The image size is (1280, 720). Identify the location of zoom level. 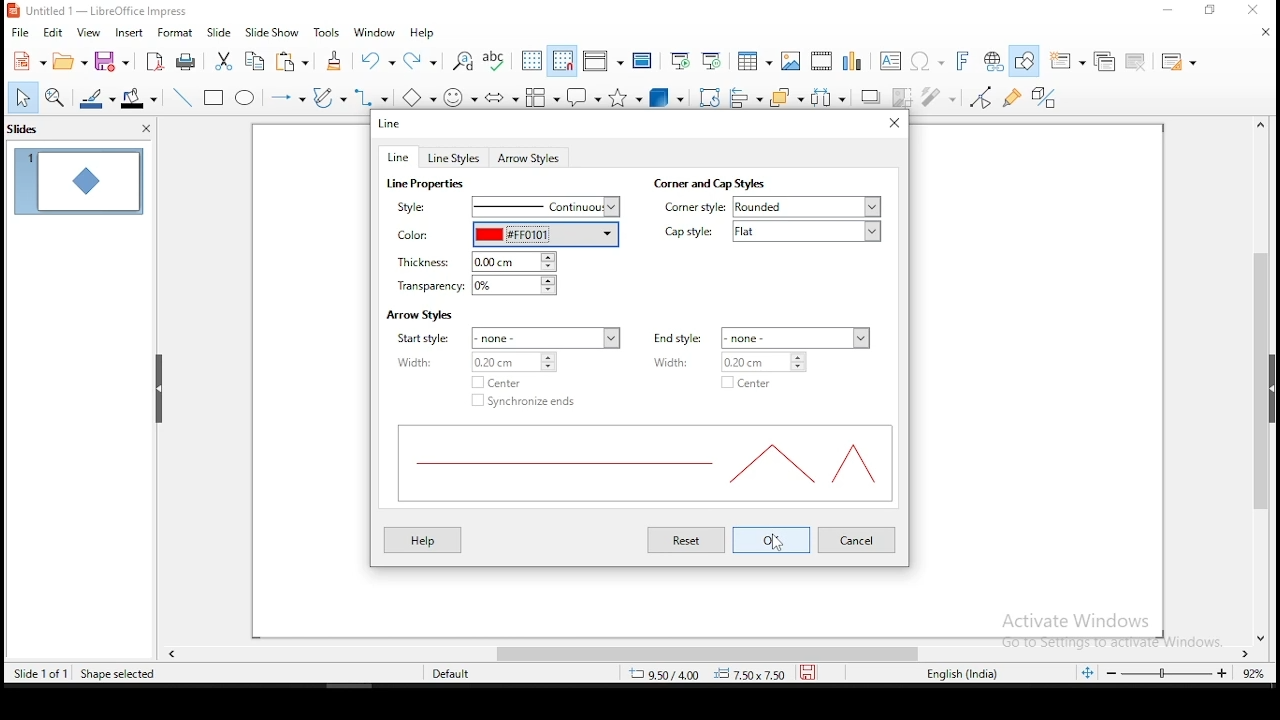
(1167, 673).